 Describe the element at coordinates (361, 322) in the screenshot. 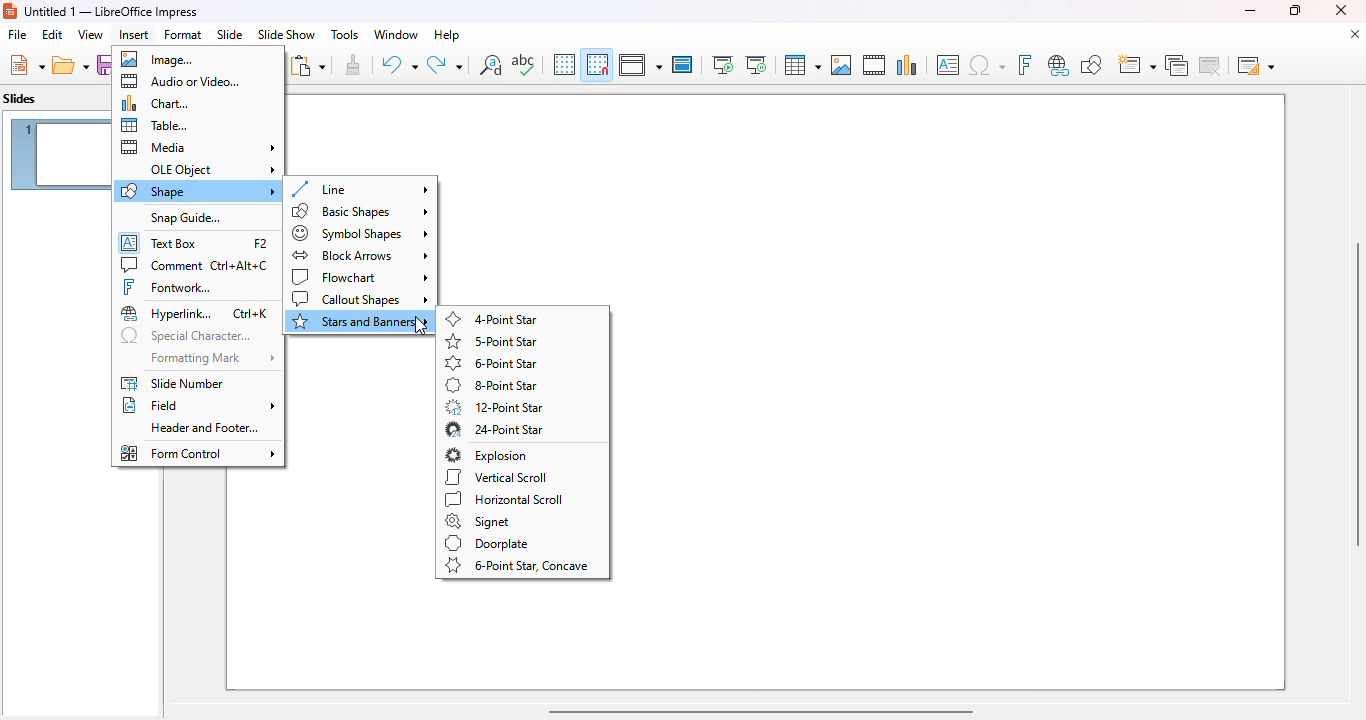

I see `stars and banners` at that location.